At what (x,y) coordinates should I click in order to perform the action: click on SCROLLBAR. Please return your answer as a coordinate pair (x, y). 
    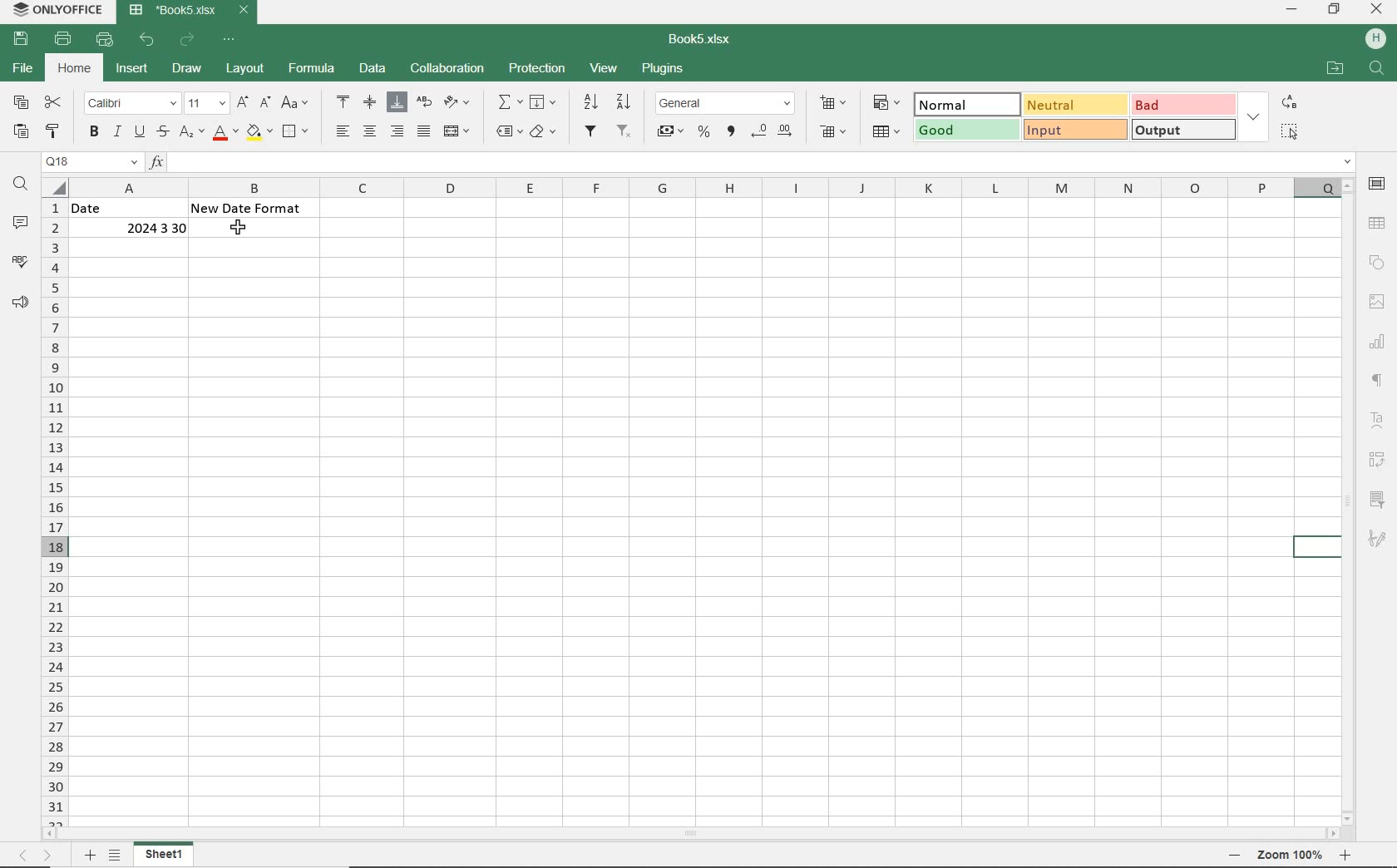
    Looking at the image, I should click on (1350, 499).